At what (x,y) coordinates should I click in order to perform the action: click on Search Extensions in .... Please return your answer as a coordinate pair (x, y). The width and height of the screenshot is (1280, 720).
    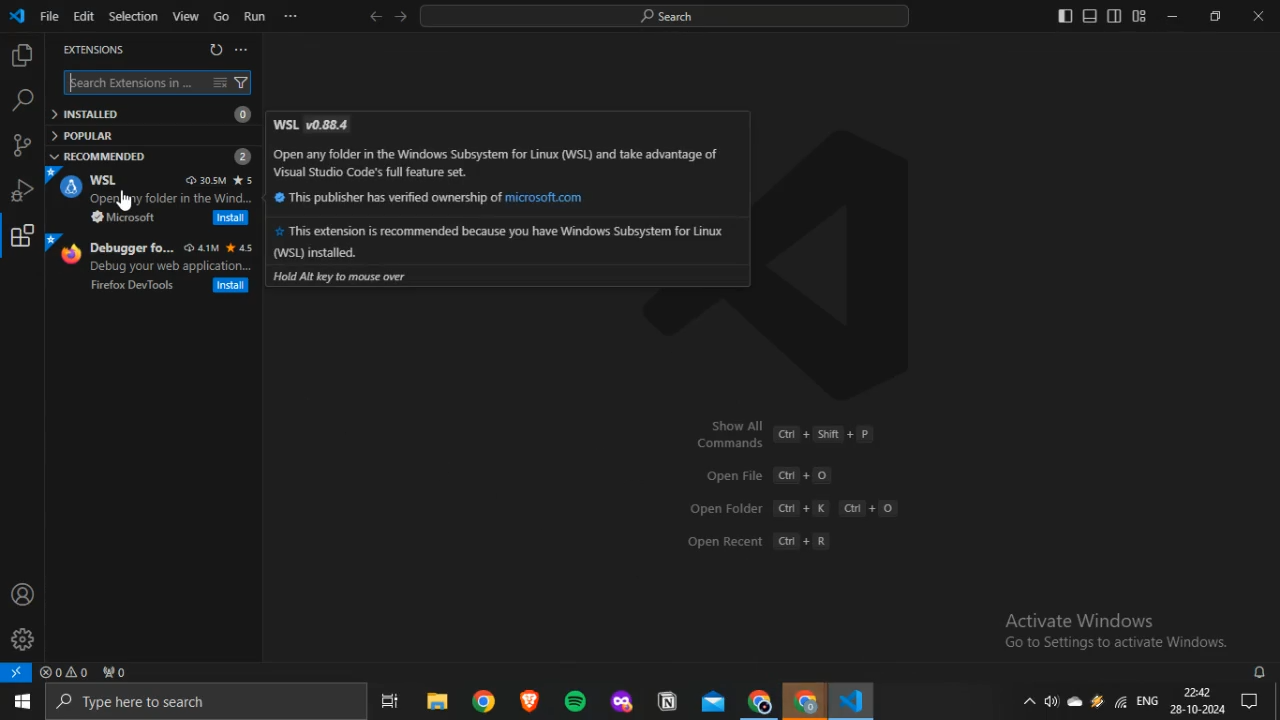
    Looking at the image, I should click on (132, 83).